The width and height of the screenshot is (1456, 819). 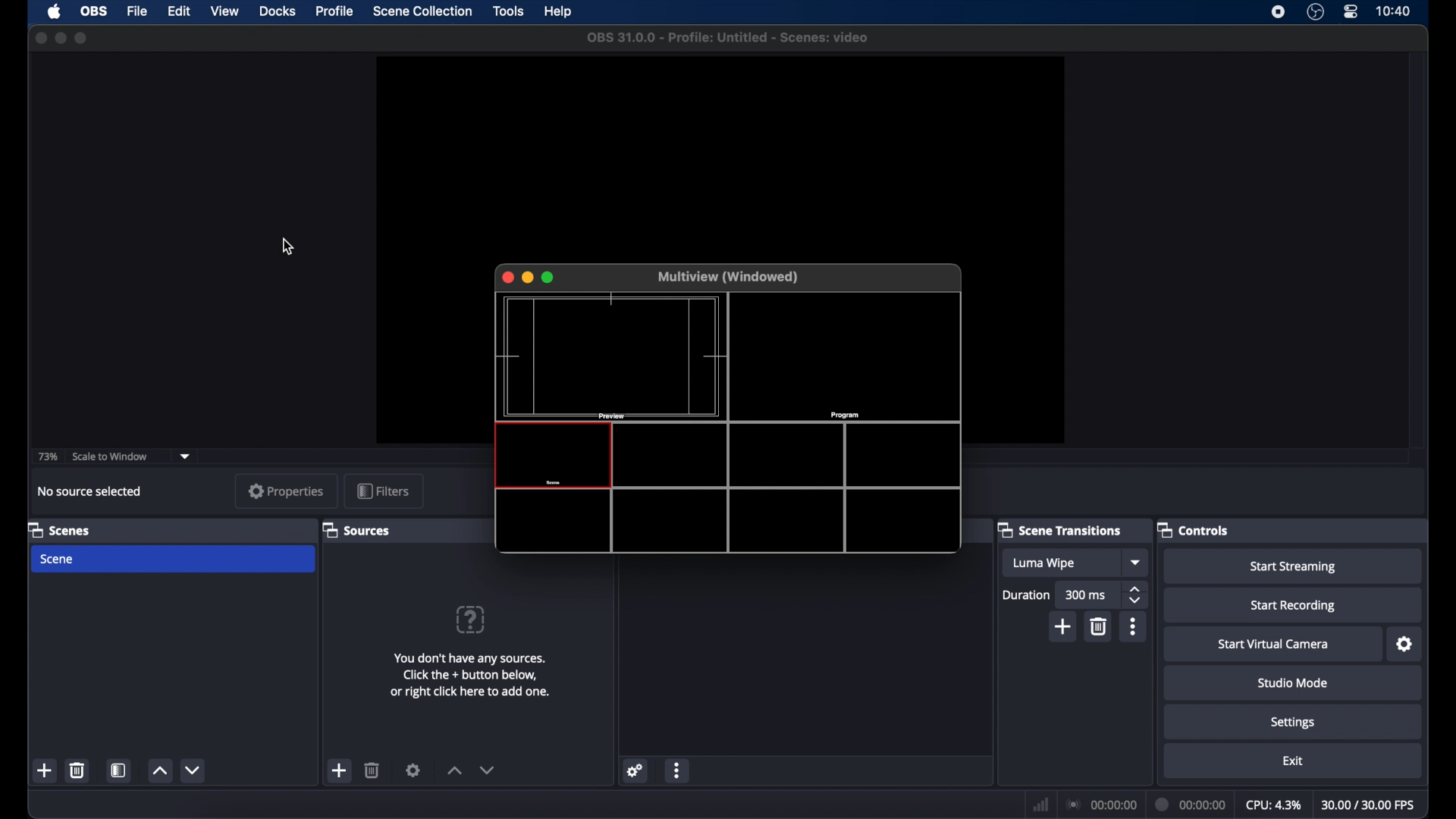 What do you see at coordinates (287, 246) in the screenshot?
I see `cursor` at bounding box center [287, 246].